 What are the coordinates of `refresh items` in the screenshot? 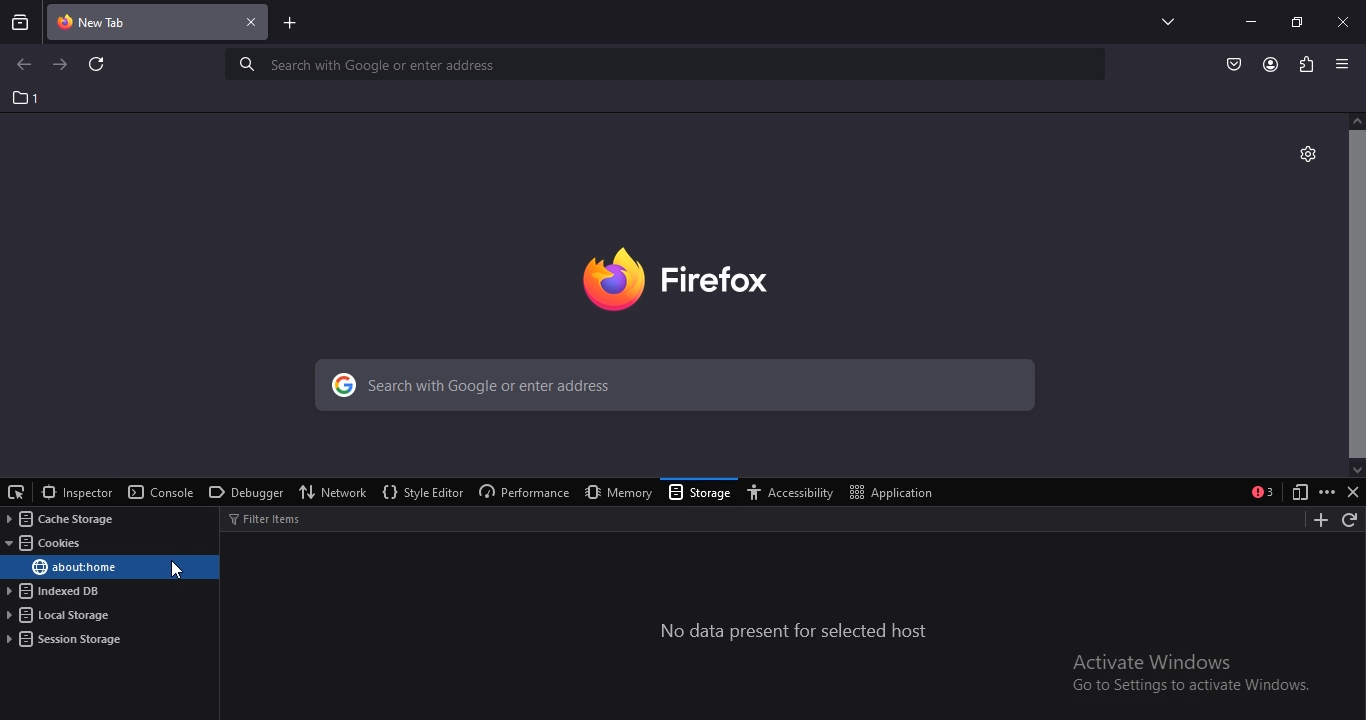 It's located at (1351, 521).